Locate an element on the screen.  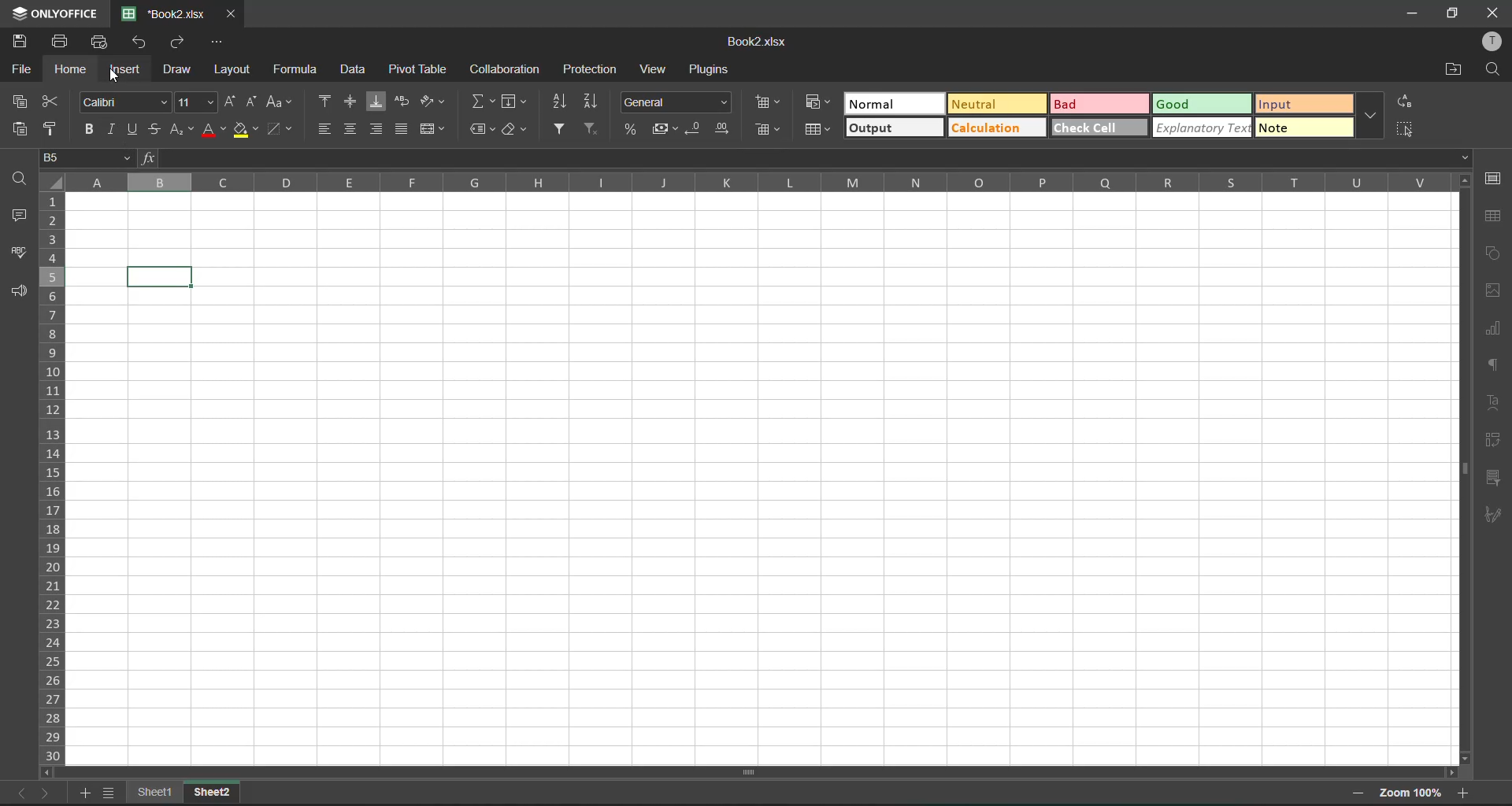
filter is located at coordinates (566, 128).